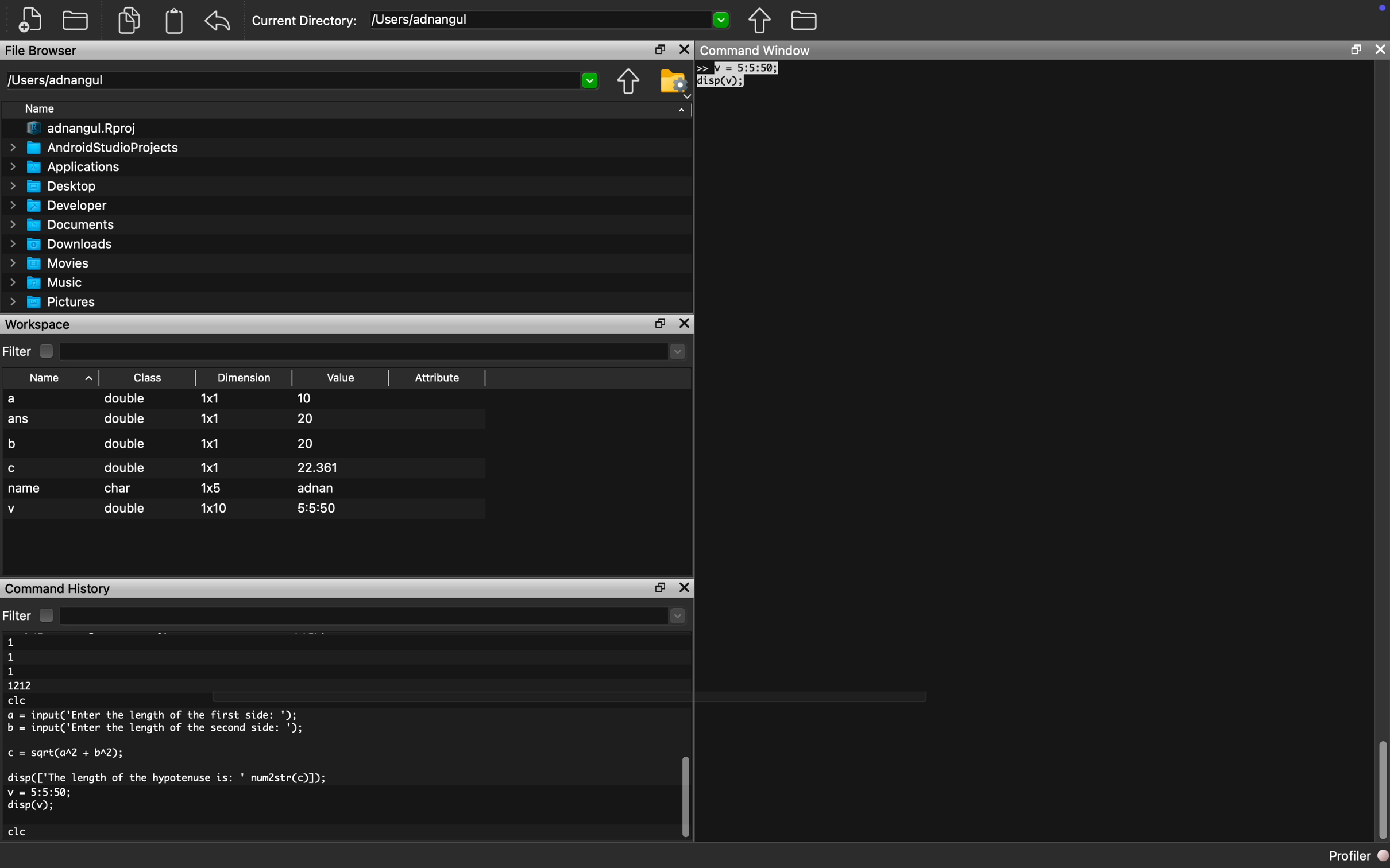 The width and height of the screenshot is (1390, 868). Describe the element at coordinates (125, 397) in the screenshot. I see `double` at that location.